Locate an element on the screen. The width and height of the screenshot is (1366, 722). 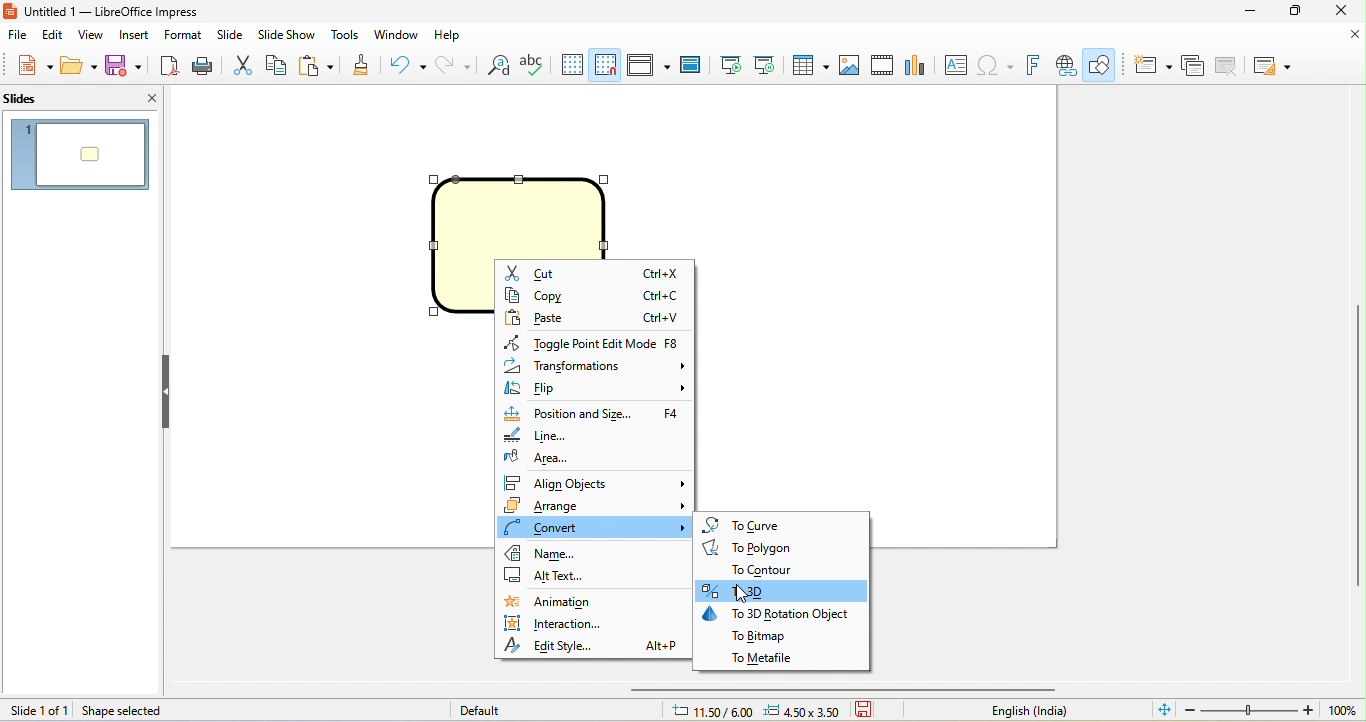
1. slide is located at coordinates (79, 154).